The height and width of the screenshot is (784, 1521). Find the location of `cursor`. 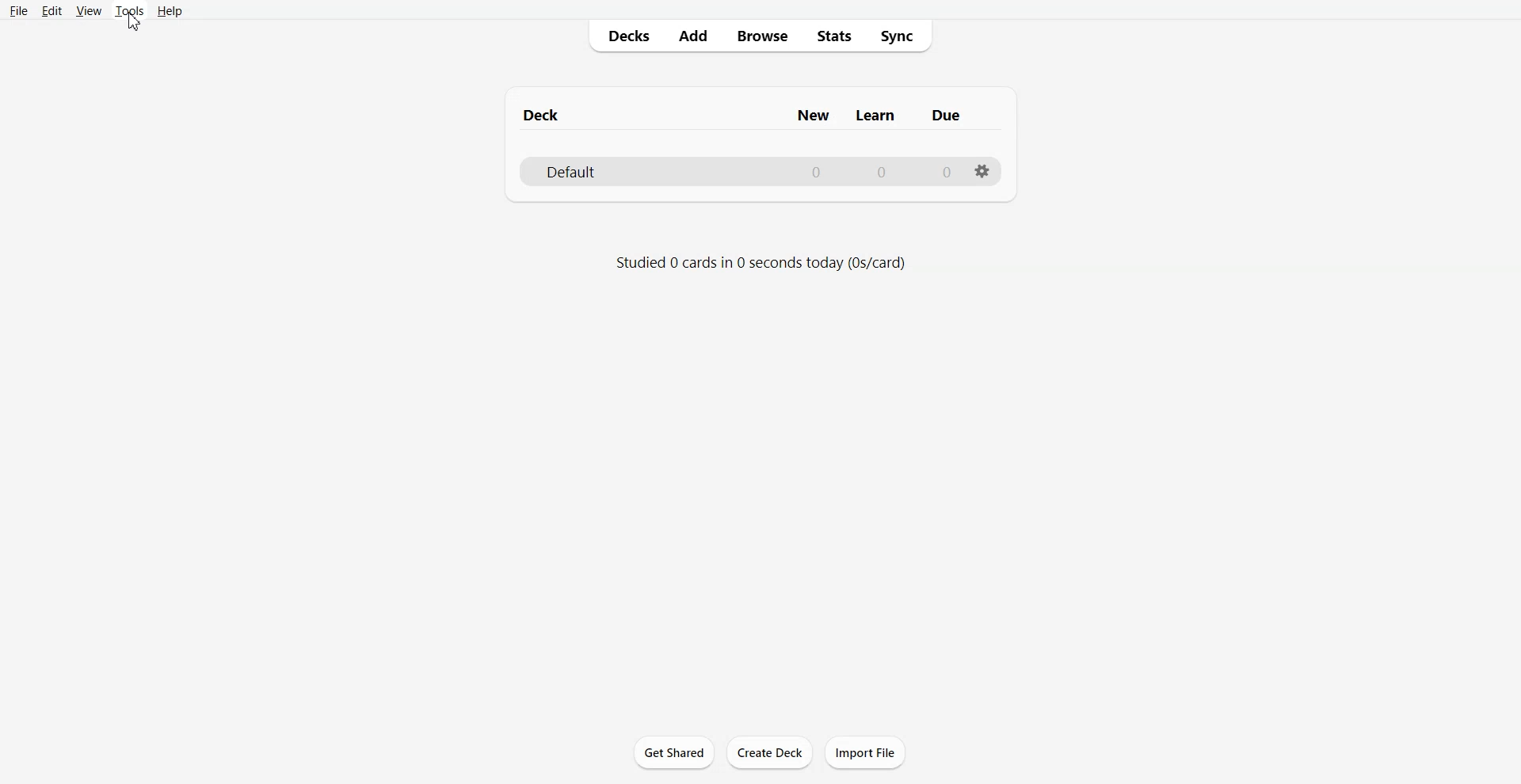

cursor is located at coordinates (136, 24).